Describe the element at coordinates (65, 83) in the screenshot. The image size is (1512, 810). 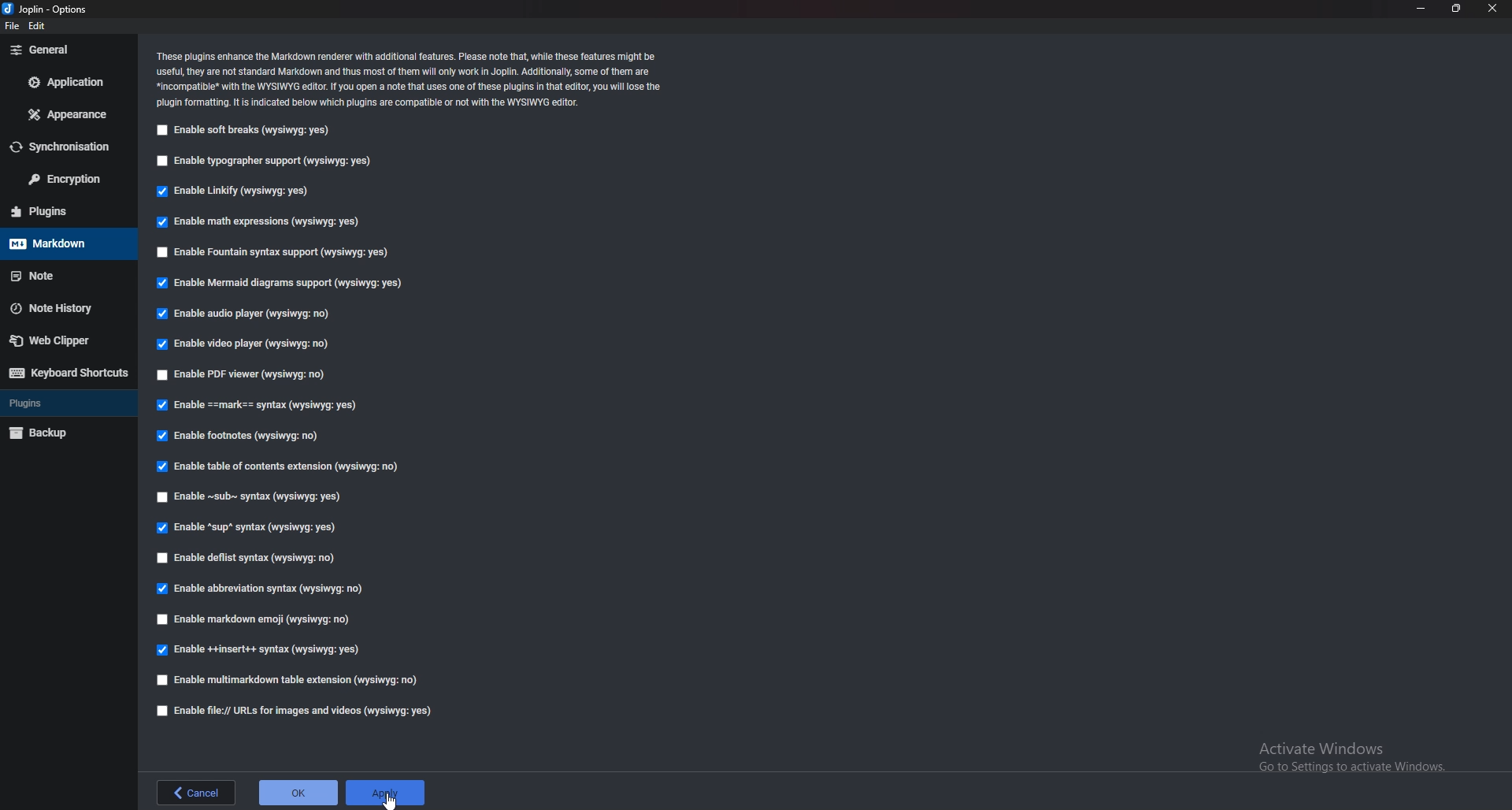
I see `Application` at that location.